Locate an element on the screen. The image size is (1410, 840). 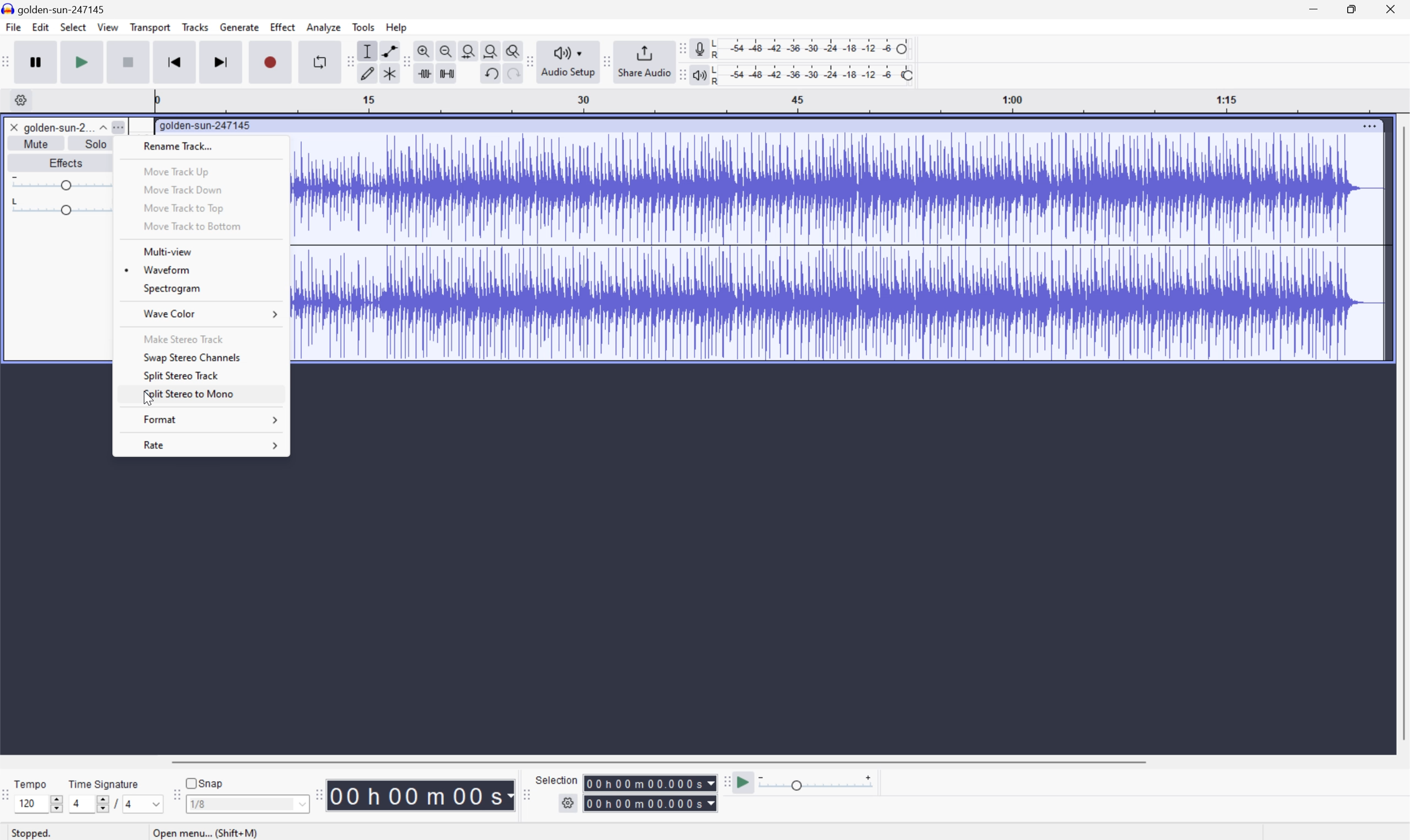
golden-sun-2 is located at coordinates (57, 128).